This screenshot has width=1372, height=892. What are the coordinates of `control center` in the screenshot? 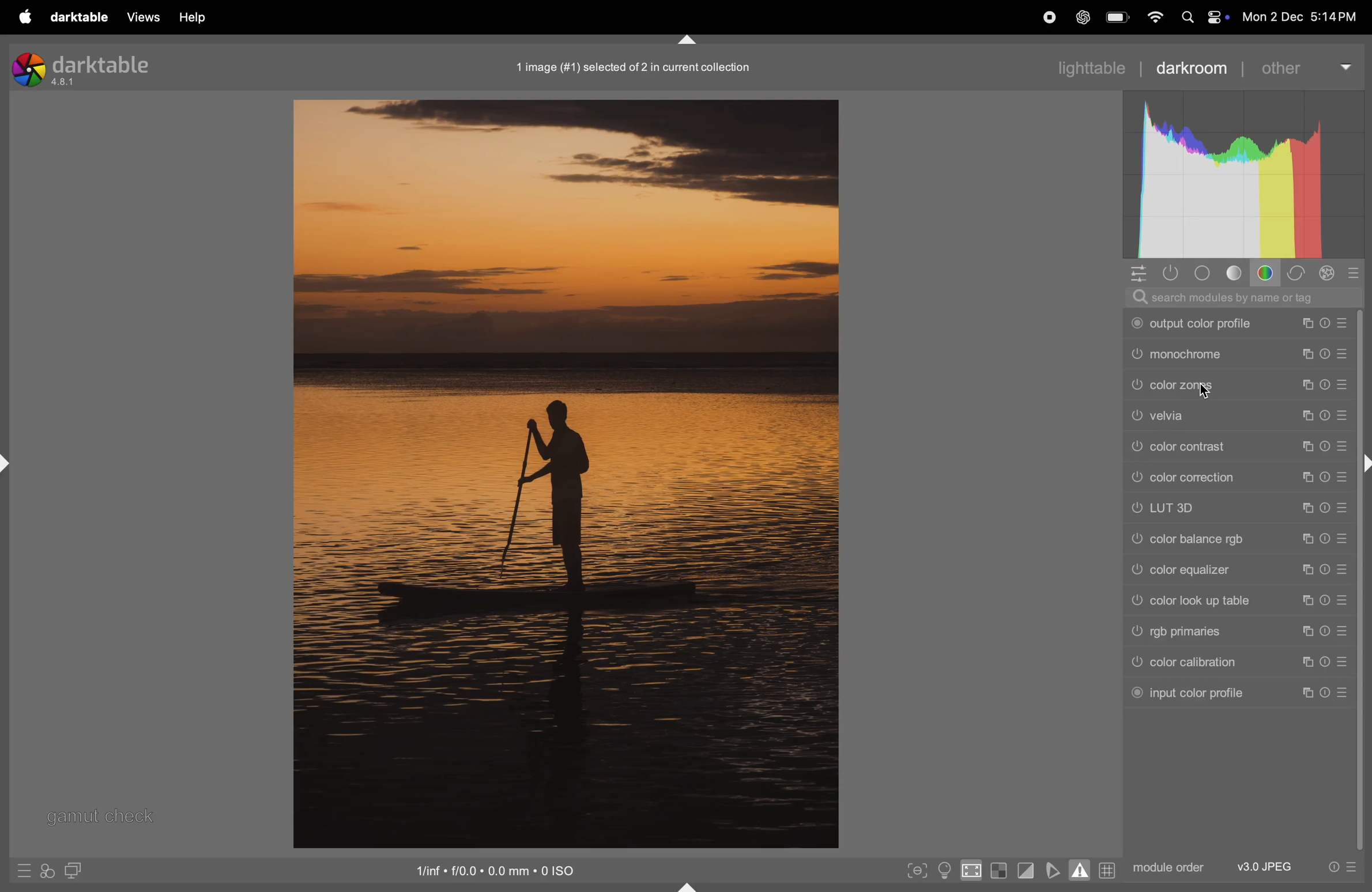 It's located at (1219, 17).